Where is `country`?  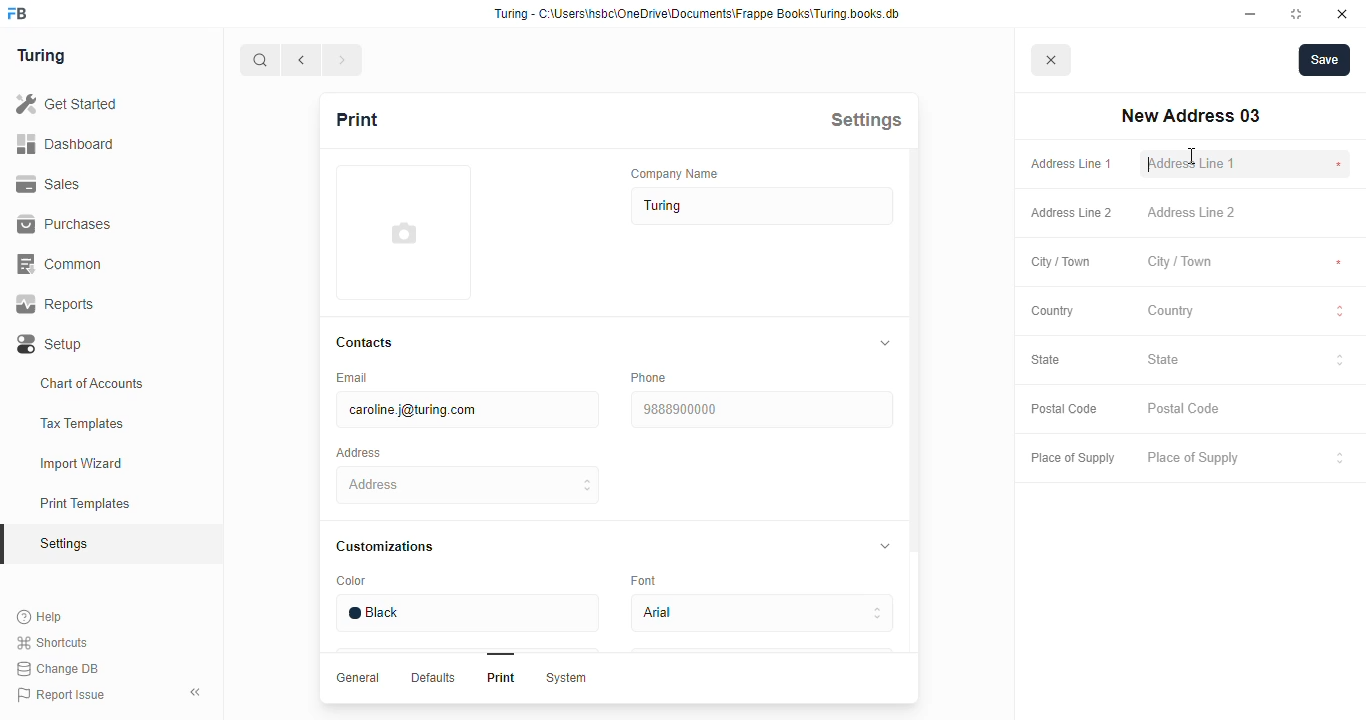
country is located at coordinates (1053, 311).